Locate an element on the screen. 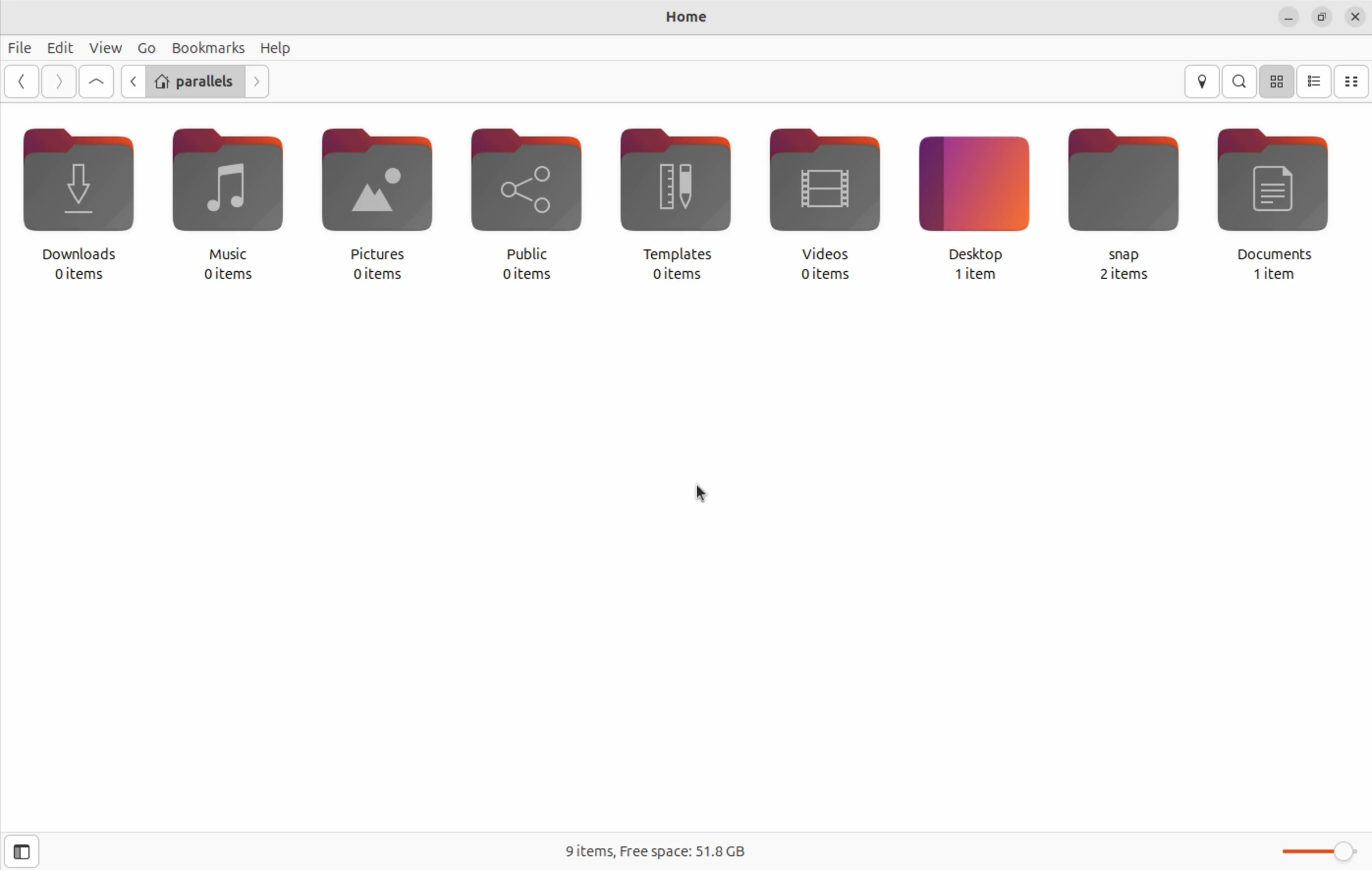  documents is located at coordinates (1275, 192).